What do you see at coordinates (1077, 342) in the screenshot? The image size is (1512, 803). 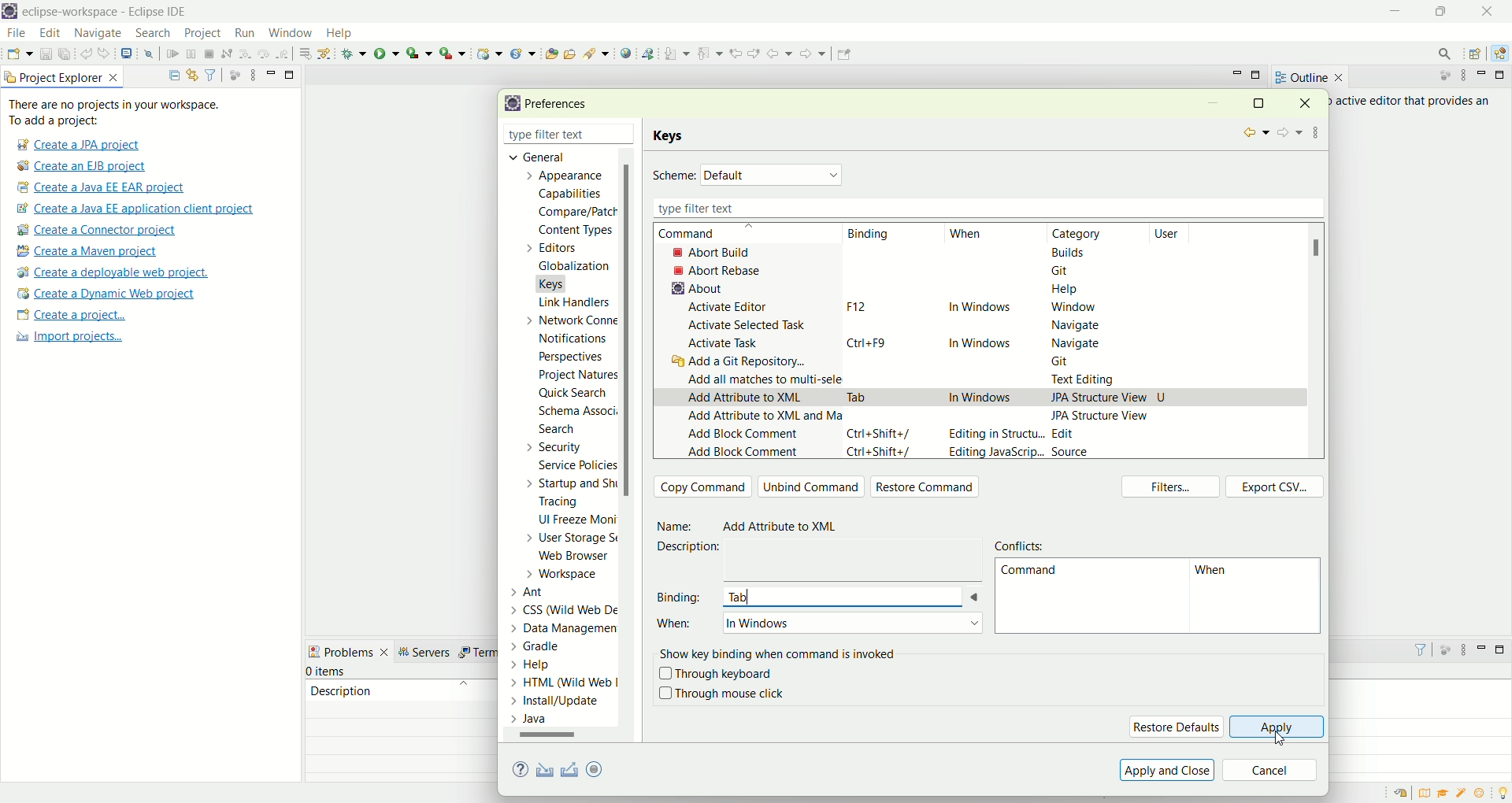 I see `navigate` at bounding box center [1077, 342].